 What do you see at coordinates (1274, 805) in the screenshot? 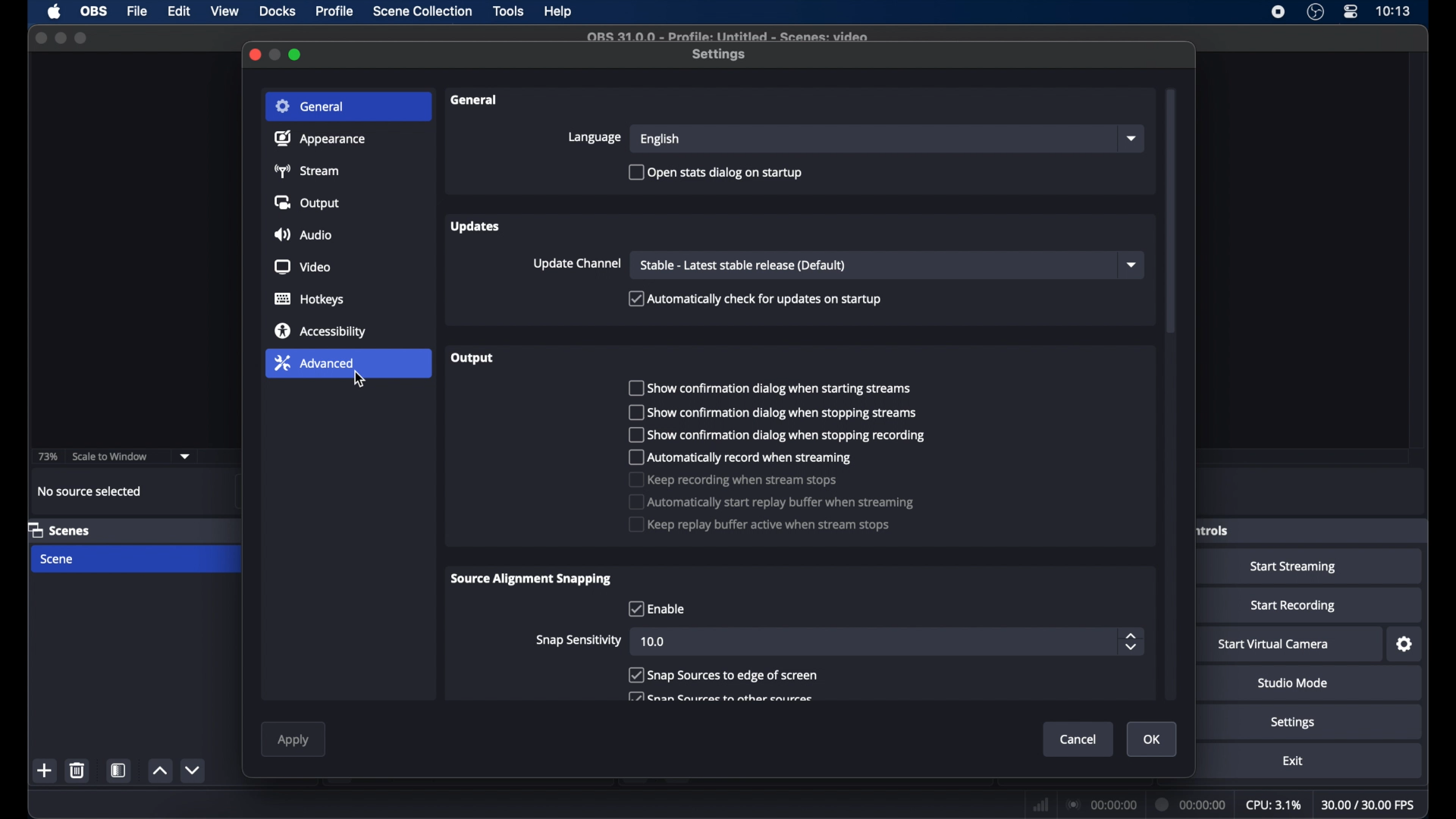
I see `cpu` at bounding box center [1274, 805].